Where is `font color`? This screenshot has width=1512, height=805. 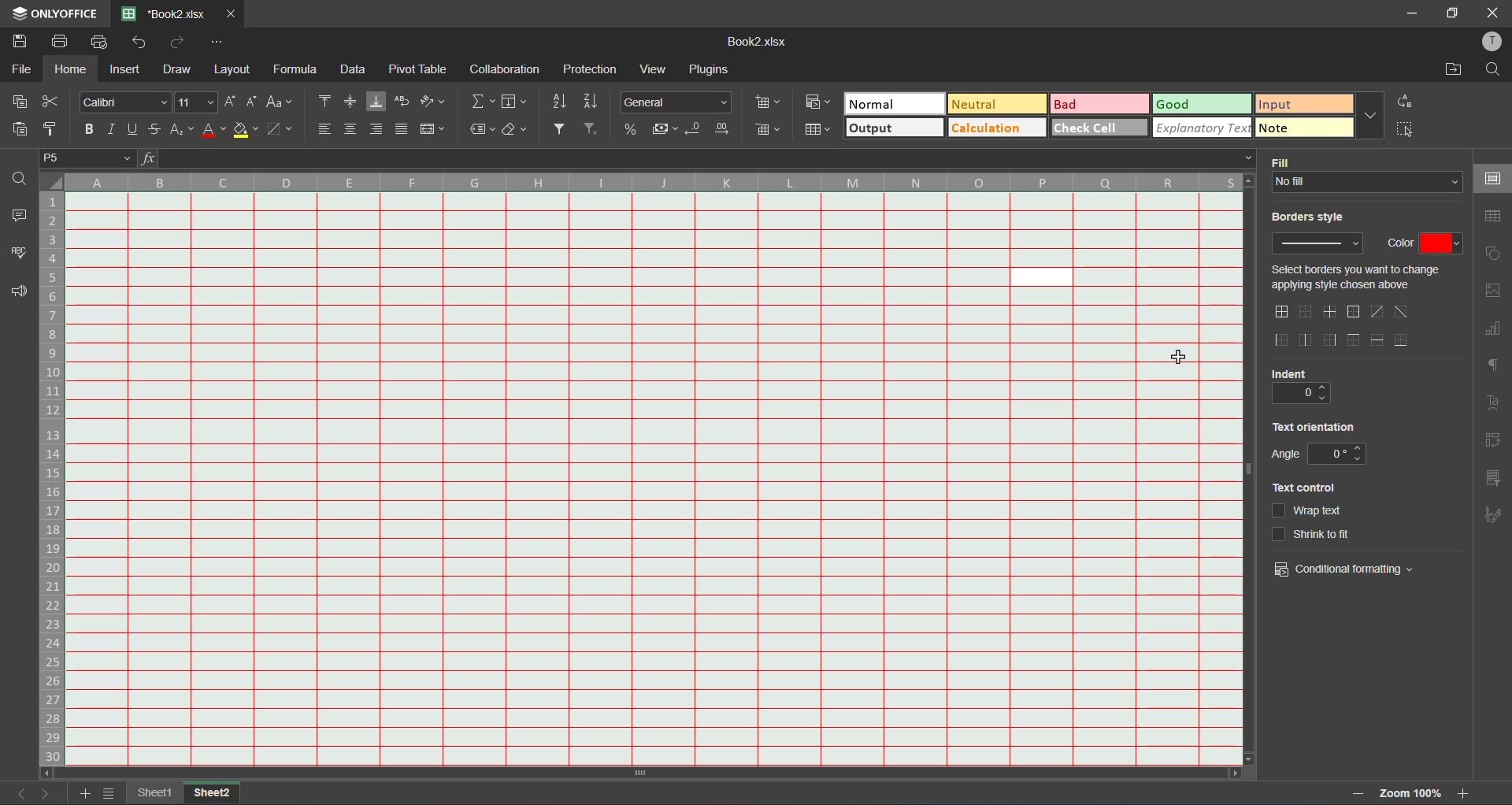 font color is located at coordinates (213, 133).